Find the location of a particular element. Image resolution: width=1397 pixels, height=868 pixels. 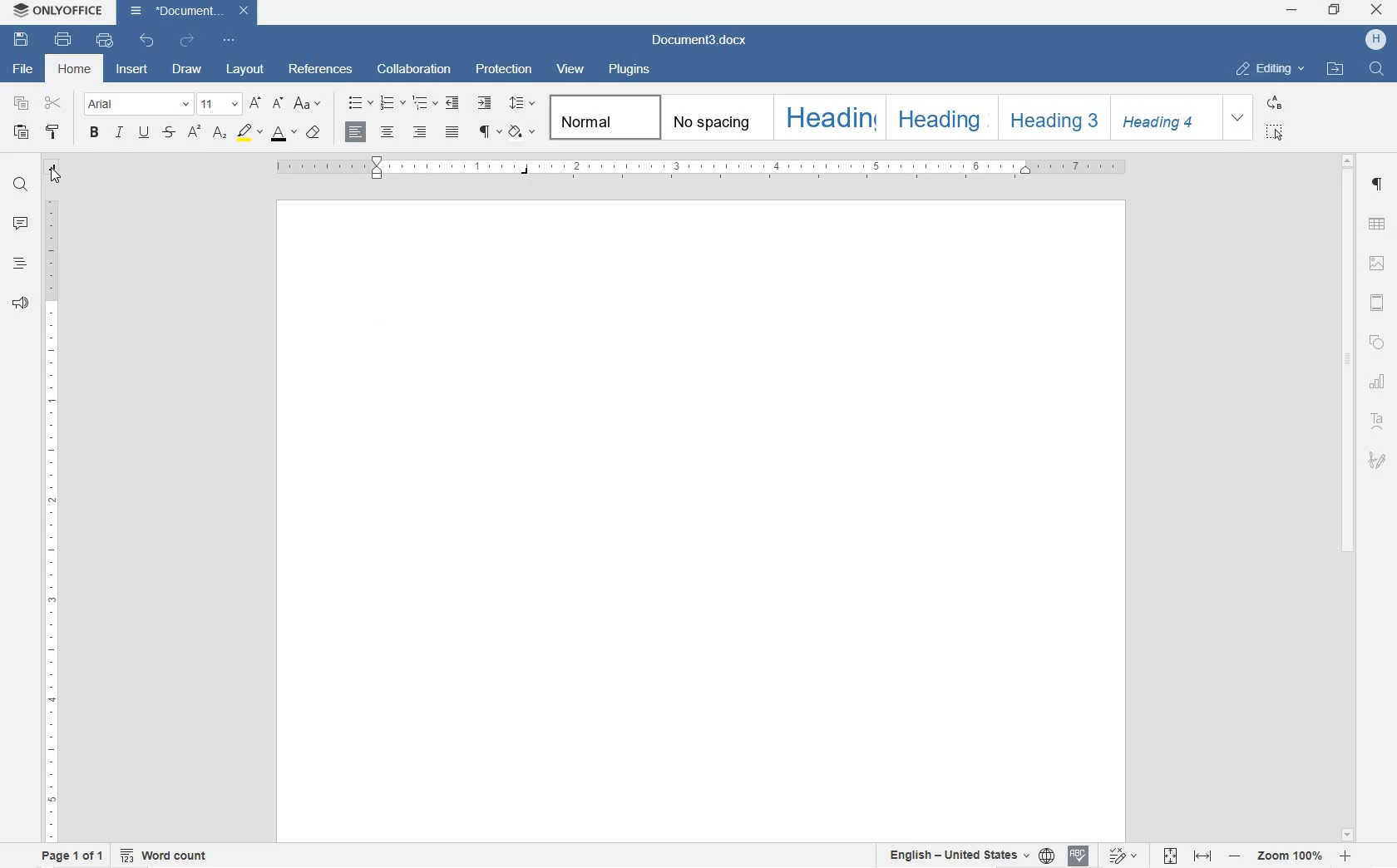

cursor is located at coordinates (54, 177).